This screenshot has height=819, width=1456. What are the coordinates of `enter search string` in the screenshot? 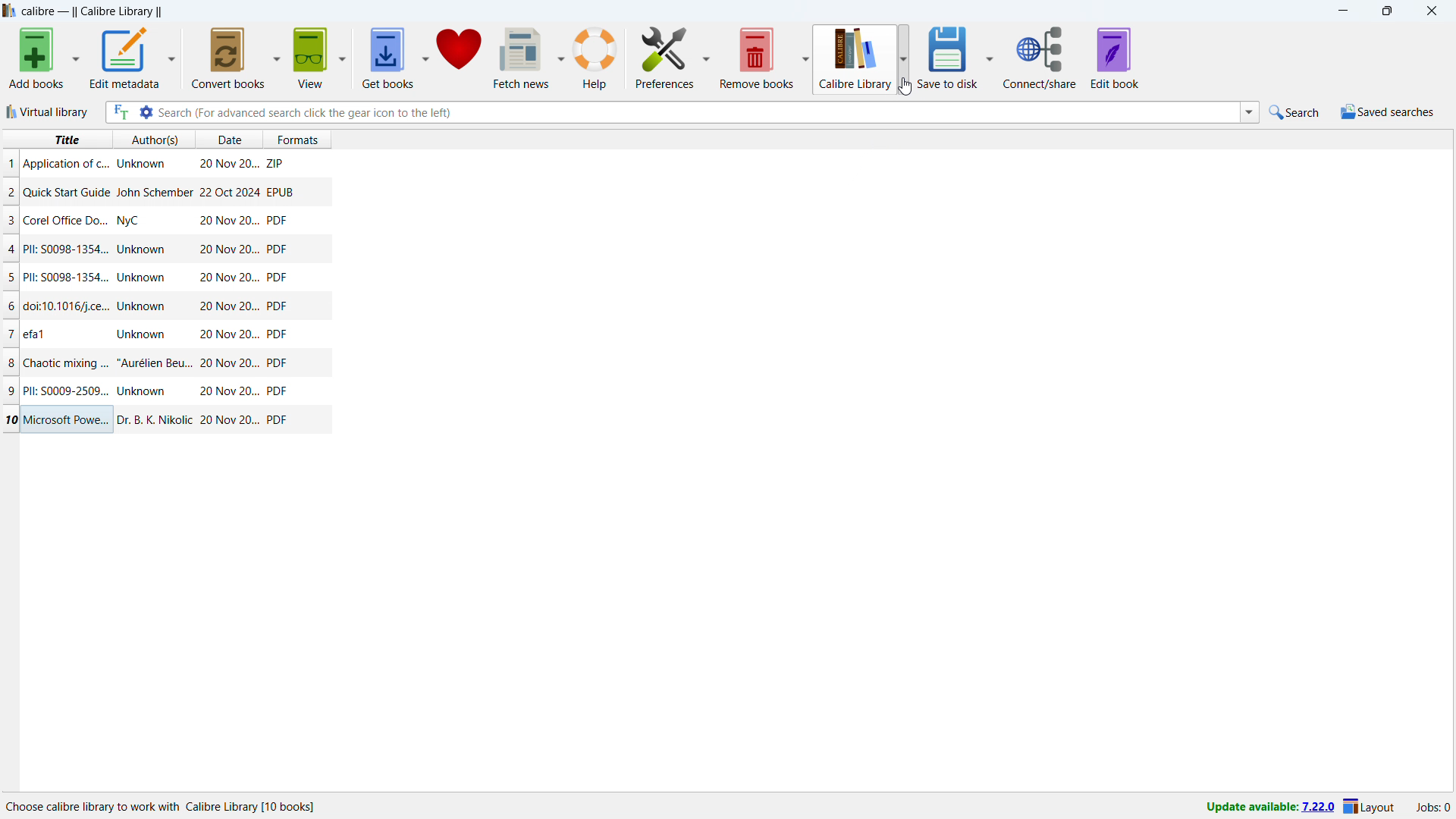 It's located at (698, 112).